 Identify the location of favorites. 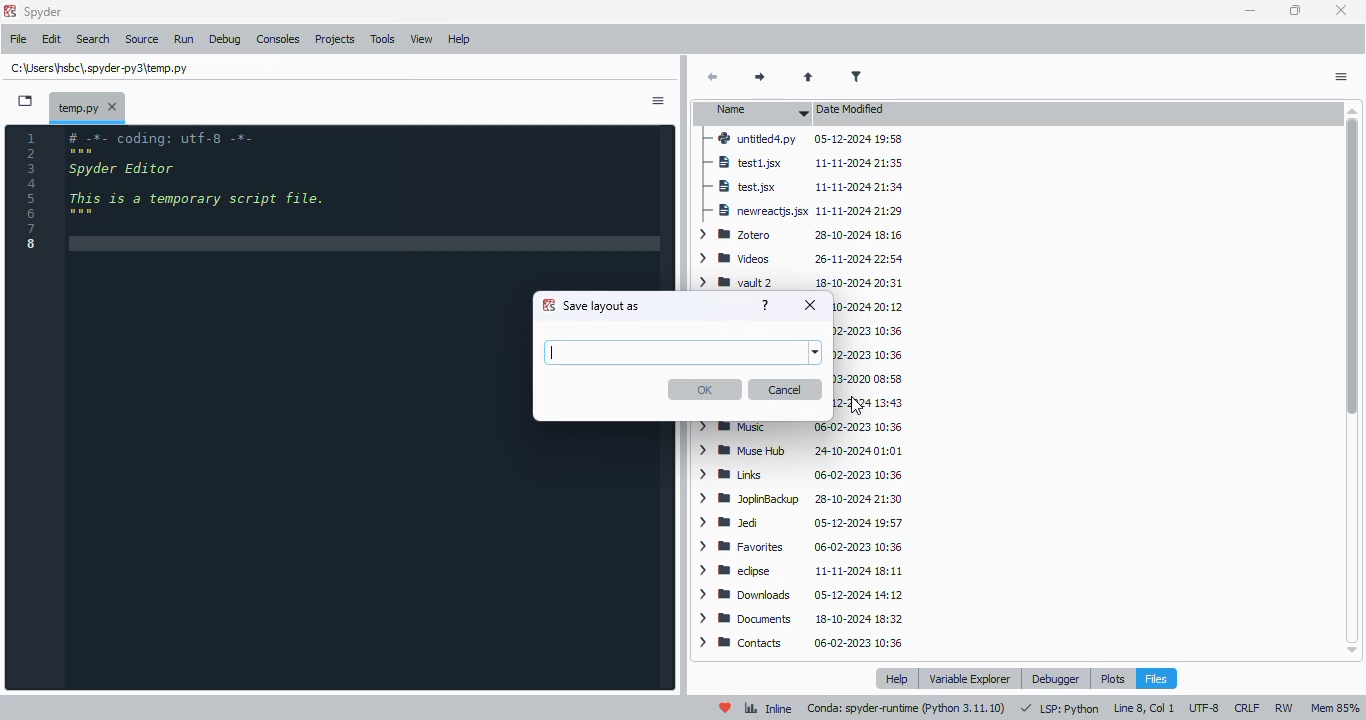
(799, 548).